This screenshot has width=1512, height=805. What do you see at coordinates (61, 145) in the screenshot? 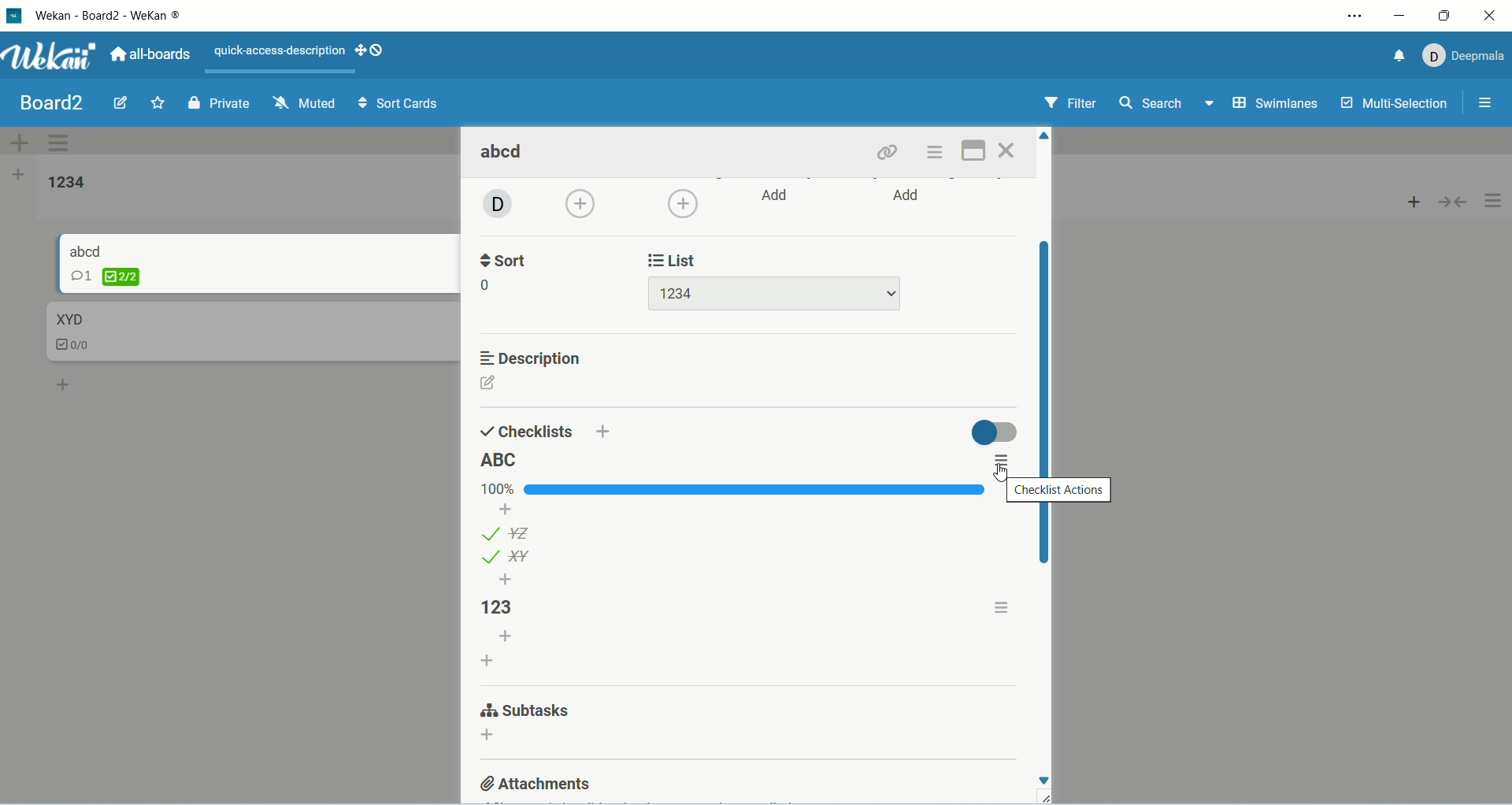
I see `swimlane actions` at bounding box center [61, 145].